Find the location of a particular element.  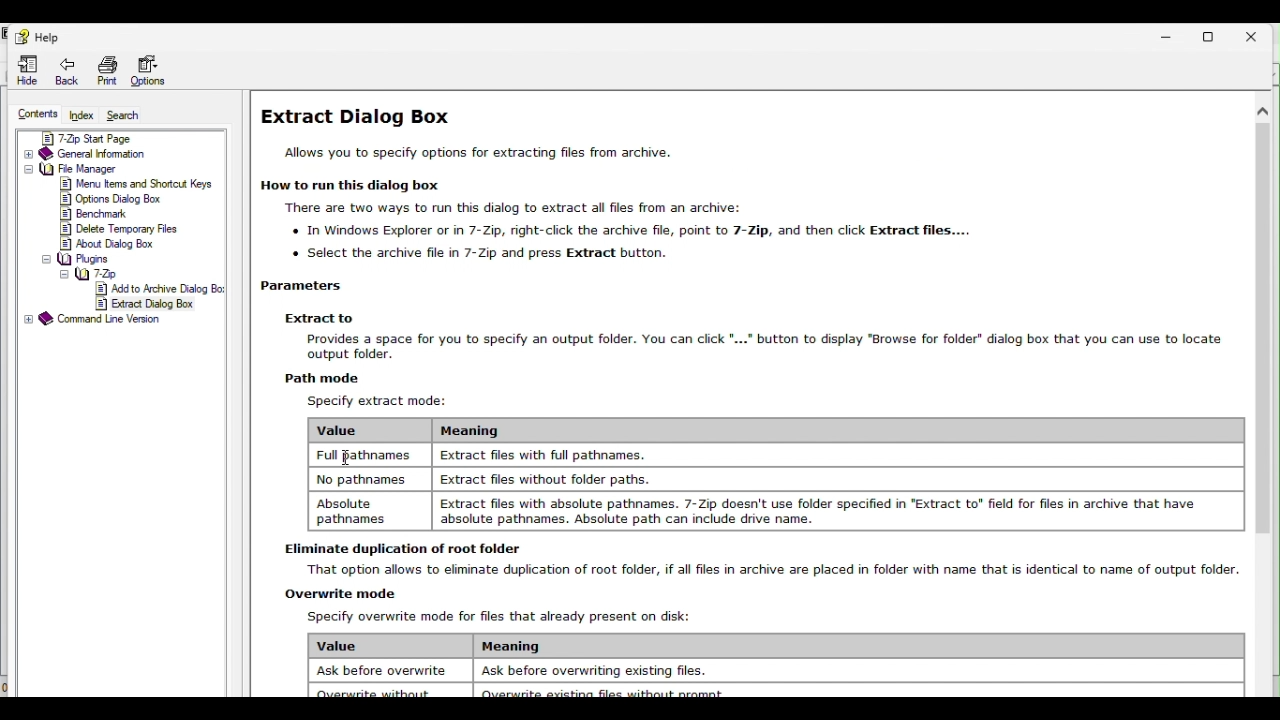

options is located at coordinates (112, 199).